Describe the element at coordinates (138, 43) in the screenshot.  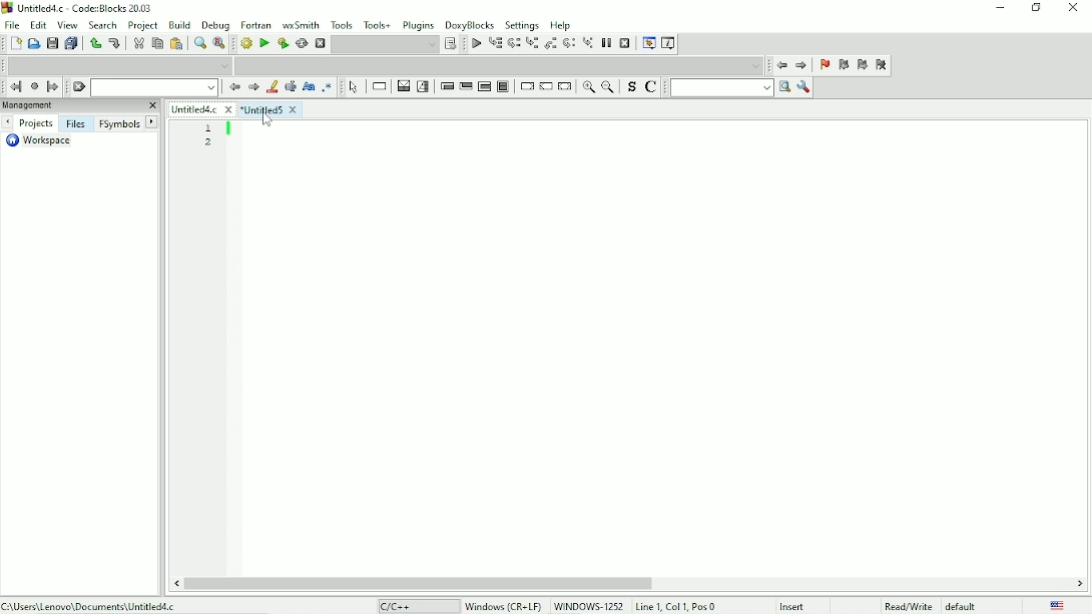
I see `Cut` at that location.